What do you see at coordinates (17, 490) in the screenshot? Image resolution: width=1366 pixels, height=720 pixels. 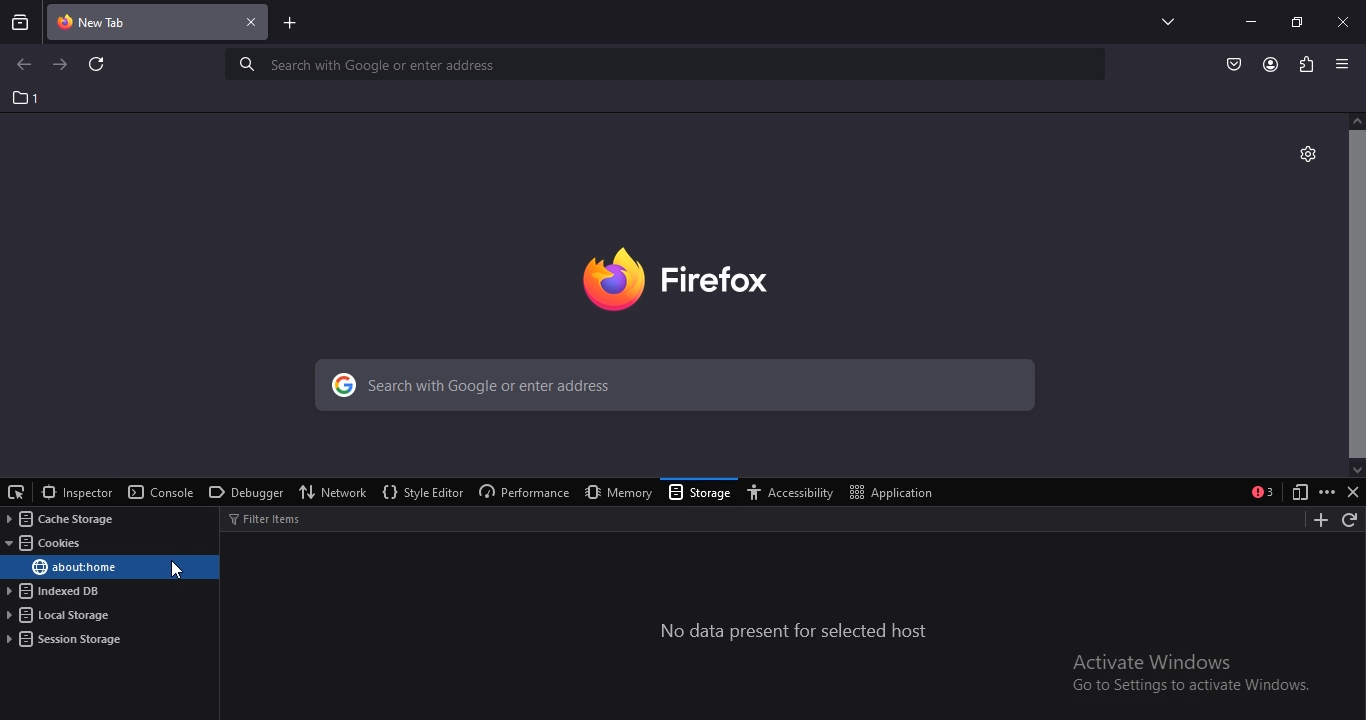 I see `pick an element from the page` at bounding box center [17, 490].